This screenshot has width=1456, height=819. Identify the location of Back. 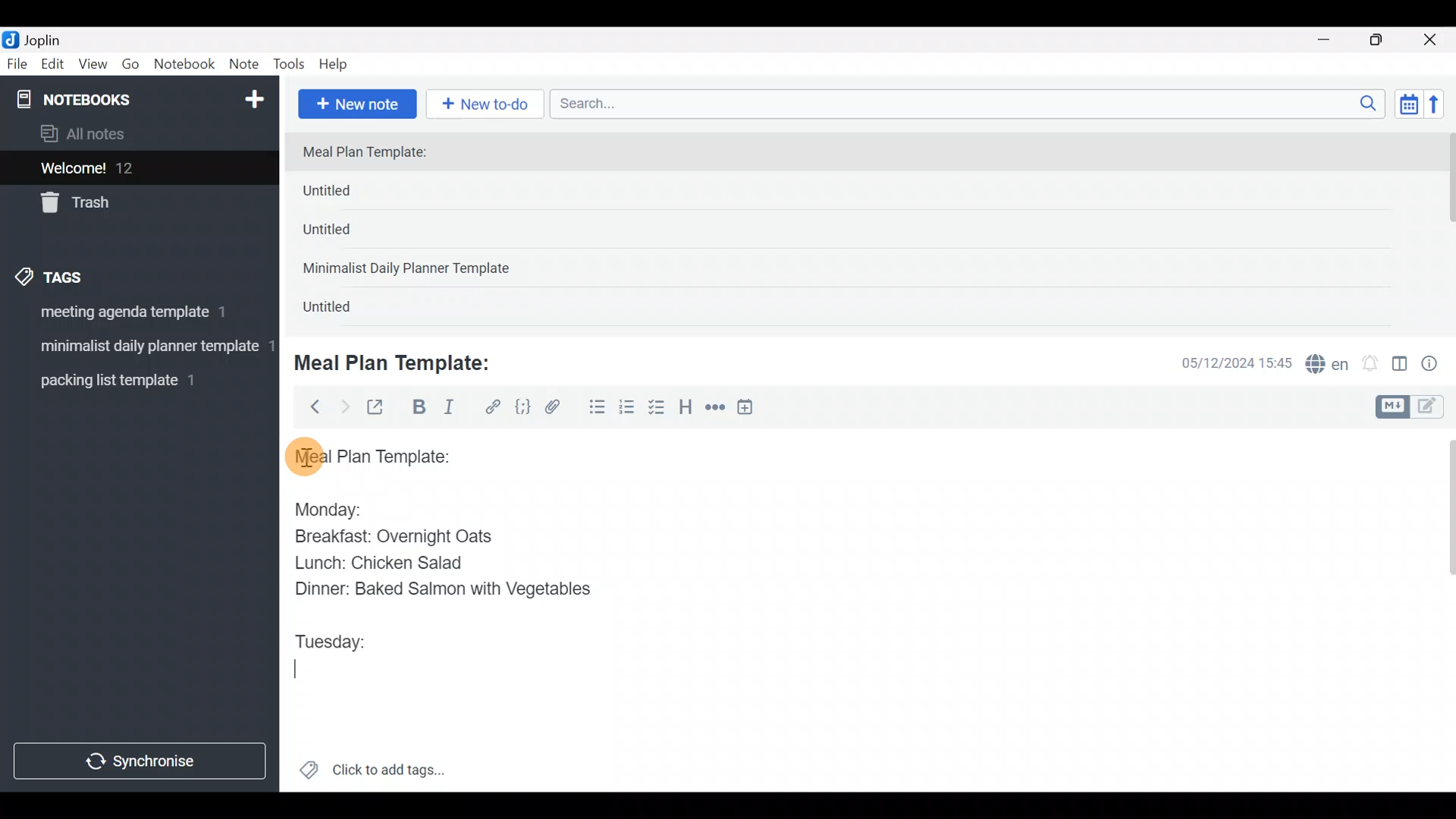
(309, 406).